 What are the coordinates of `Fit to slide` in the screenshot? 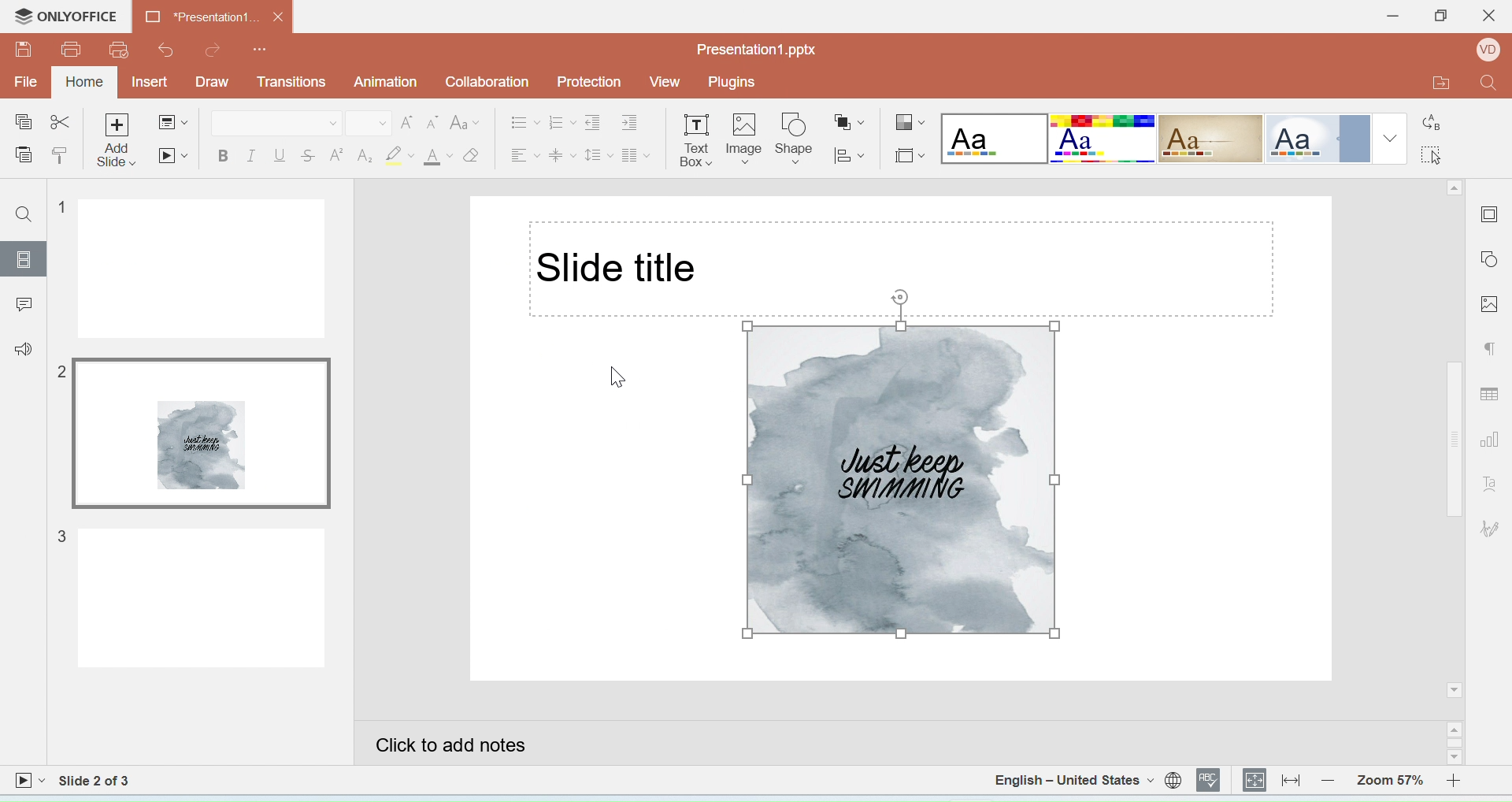 It's located at (1255, 781).